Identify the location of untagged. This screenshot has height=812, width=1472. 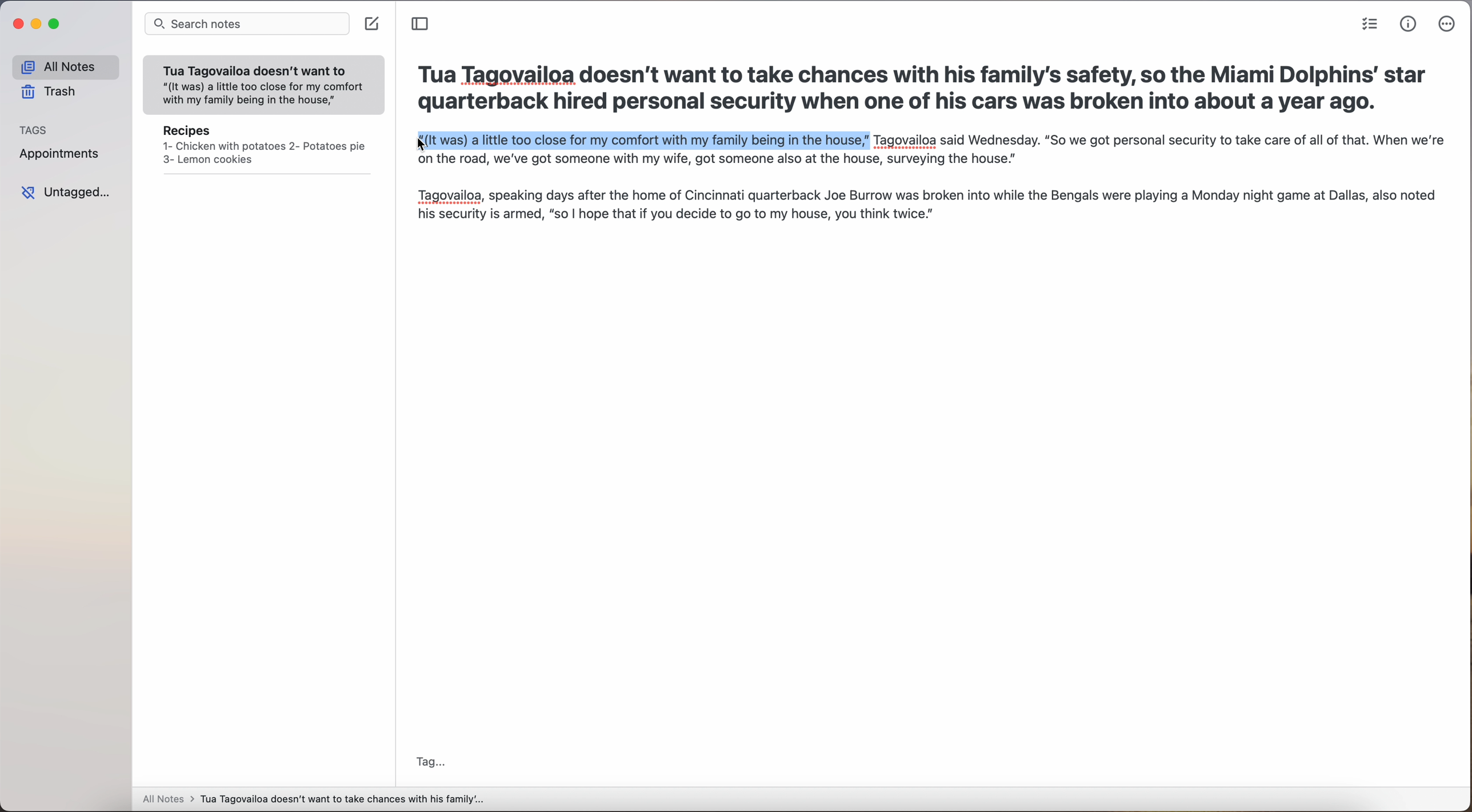
(65, 193).